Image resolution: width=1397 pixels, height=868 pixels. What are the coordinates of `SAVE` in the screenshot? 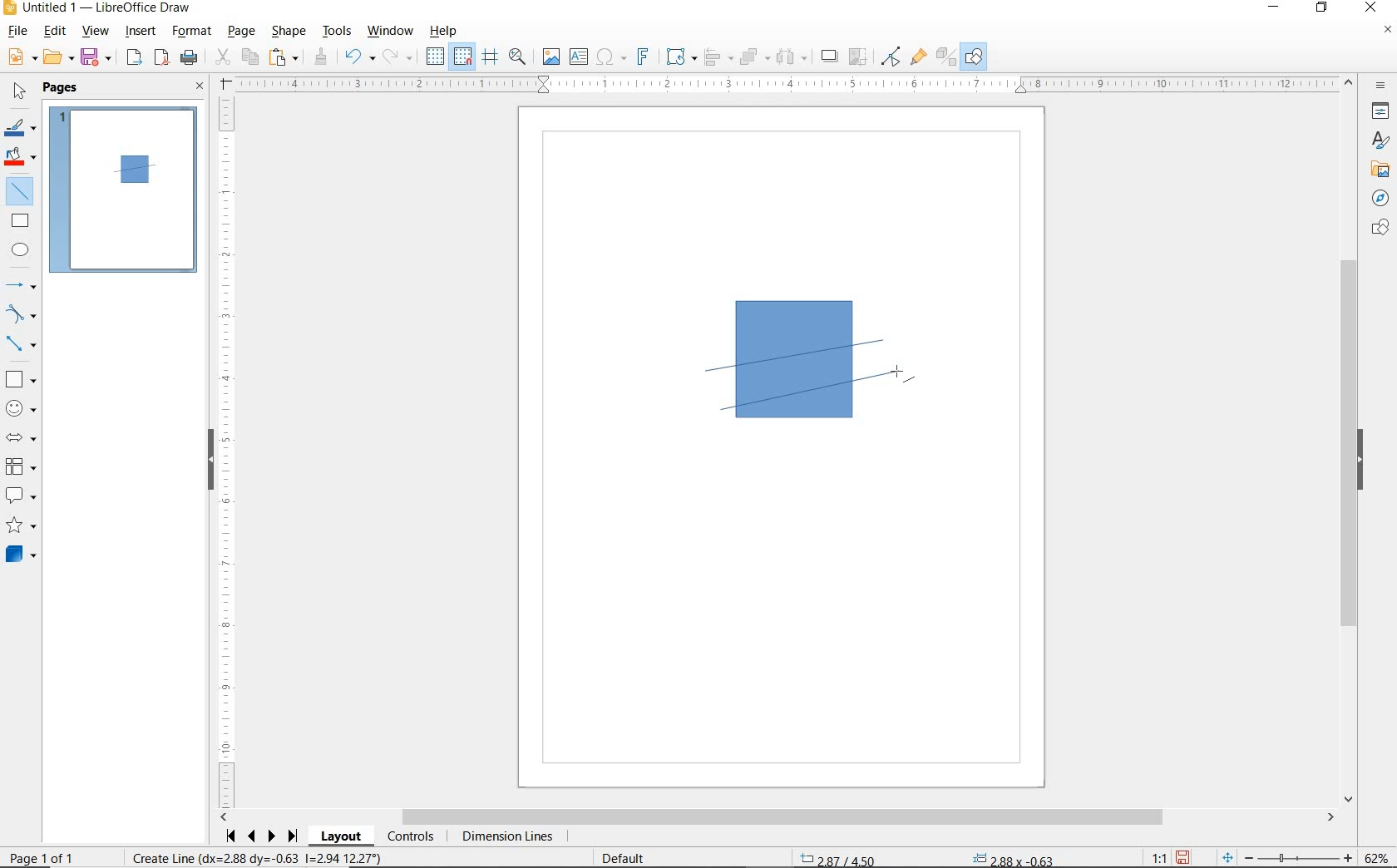 It's located at (97, 58).